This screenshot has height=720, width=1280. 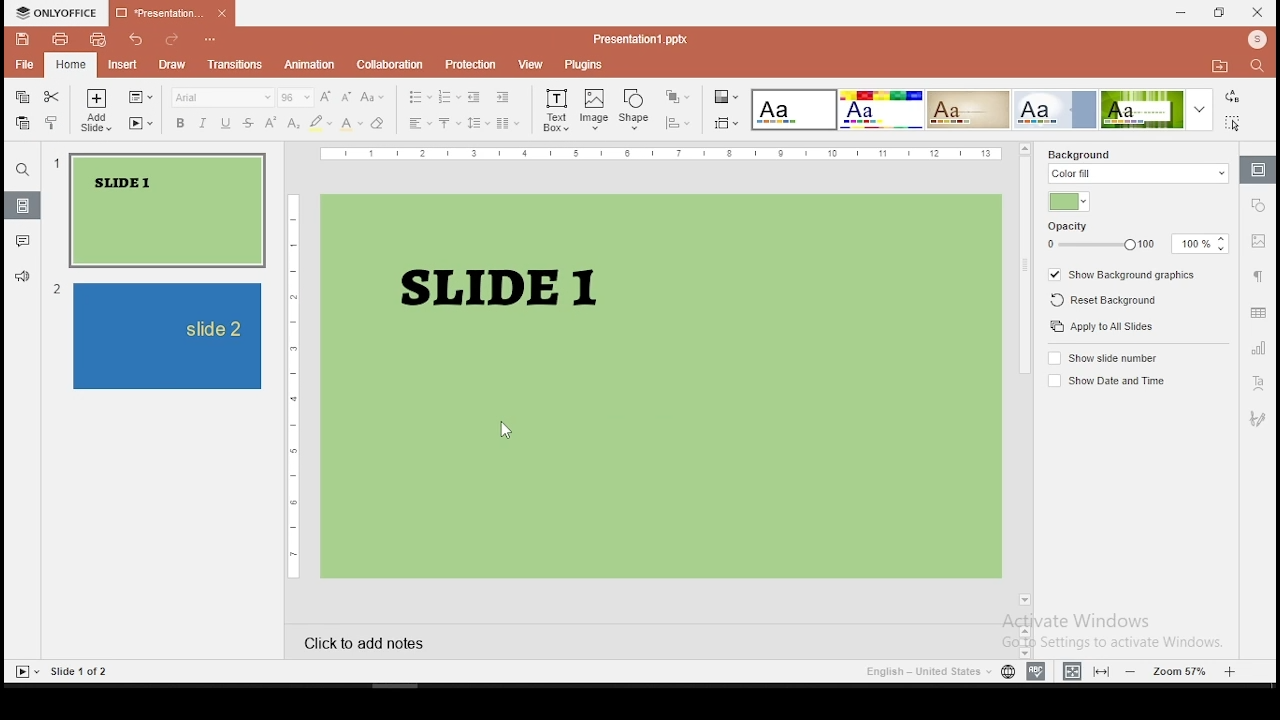 I want to click on slide settings, so click(x=1259, y=170).